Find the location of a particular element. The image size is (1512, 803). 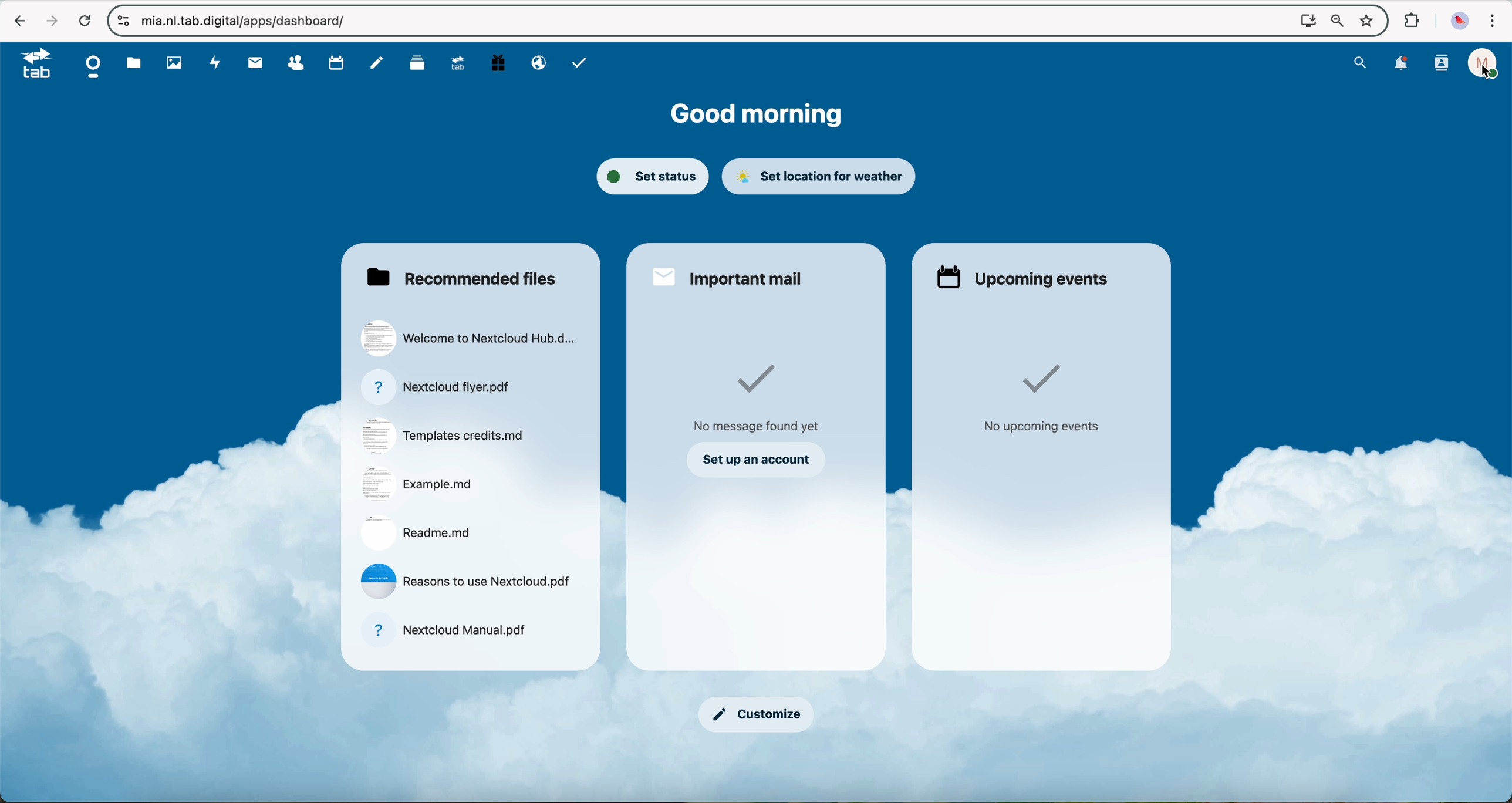

contacts is located at coordinates (299, 63).